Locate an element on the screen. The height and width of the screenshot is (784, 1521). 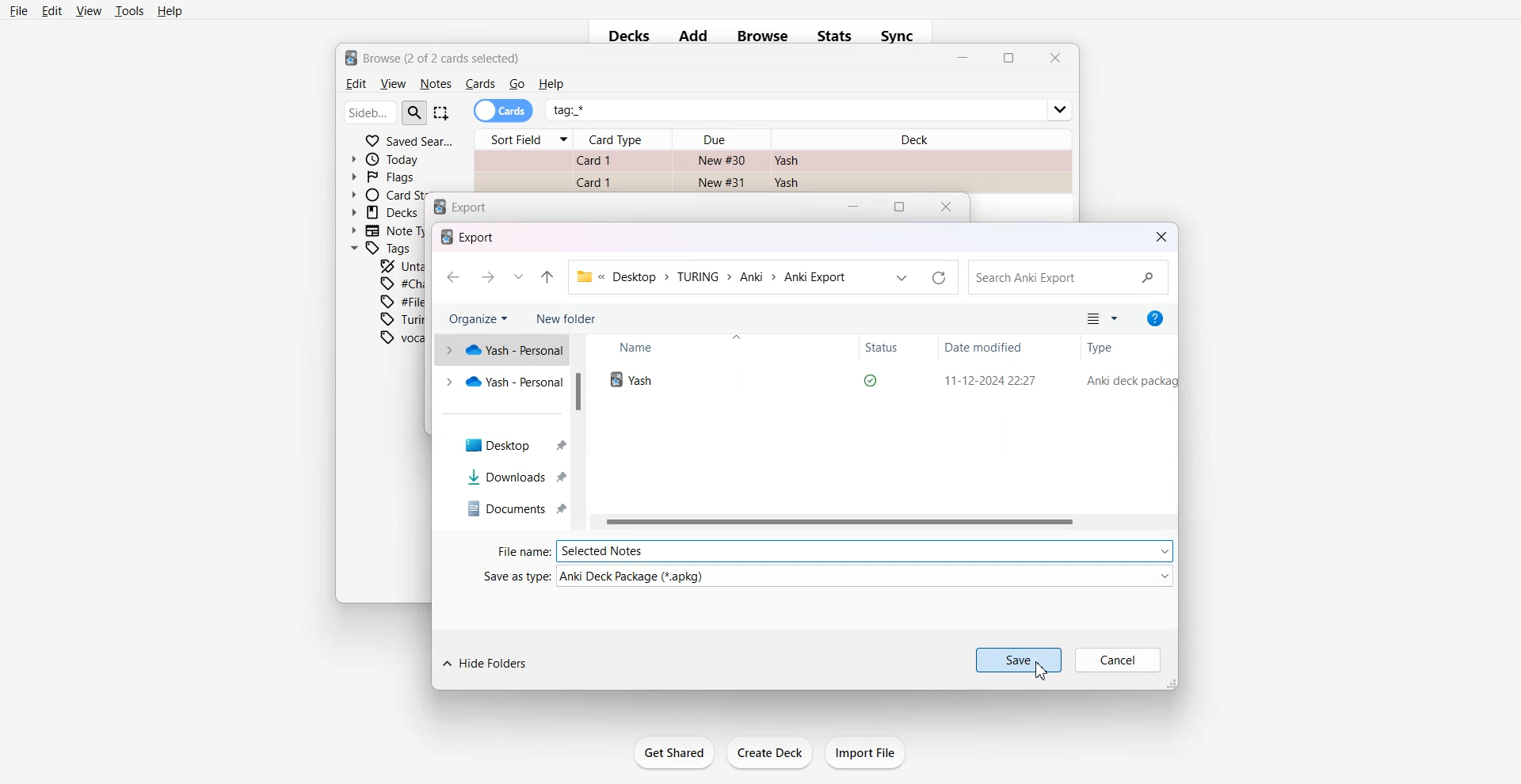
tag * is located at coordinates (810, 104).